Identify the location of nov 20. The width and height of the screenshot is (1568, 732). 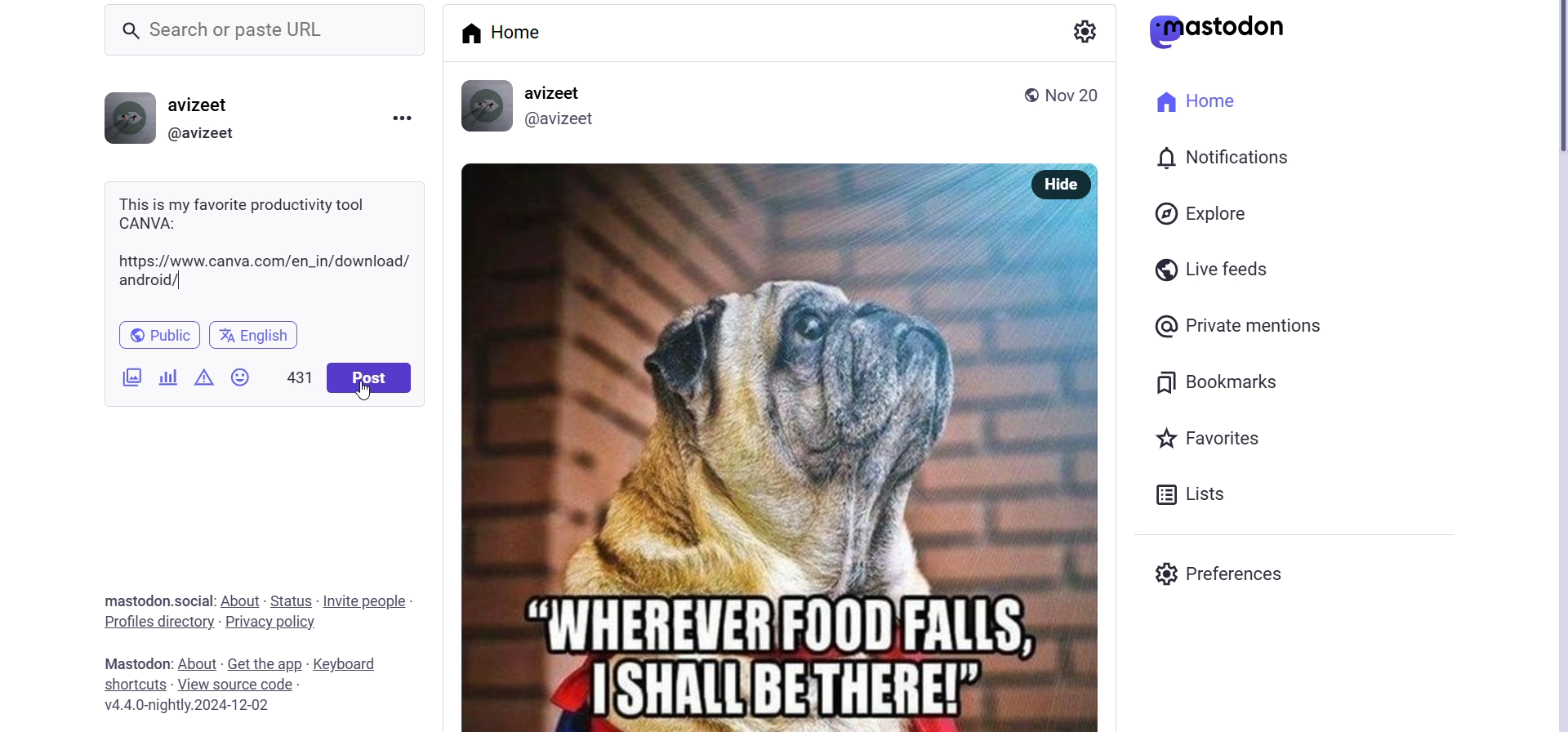
(1073, 93).